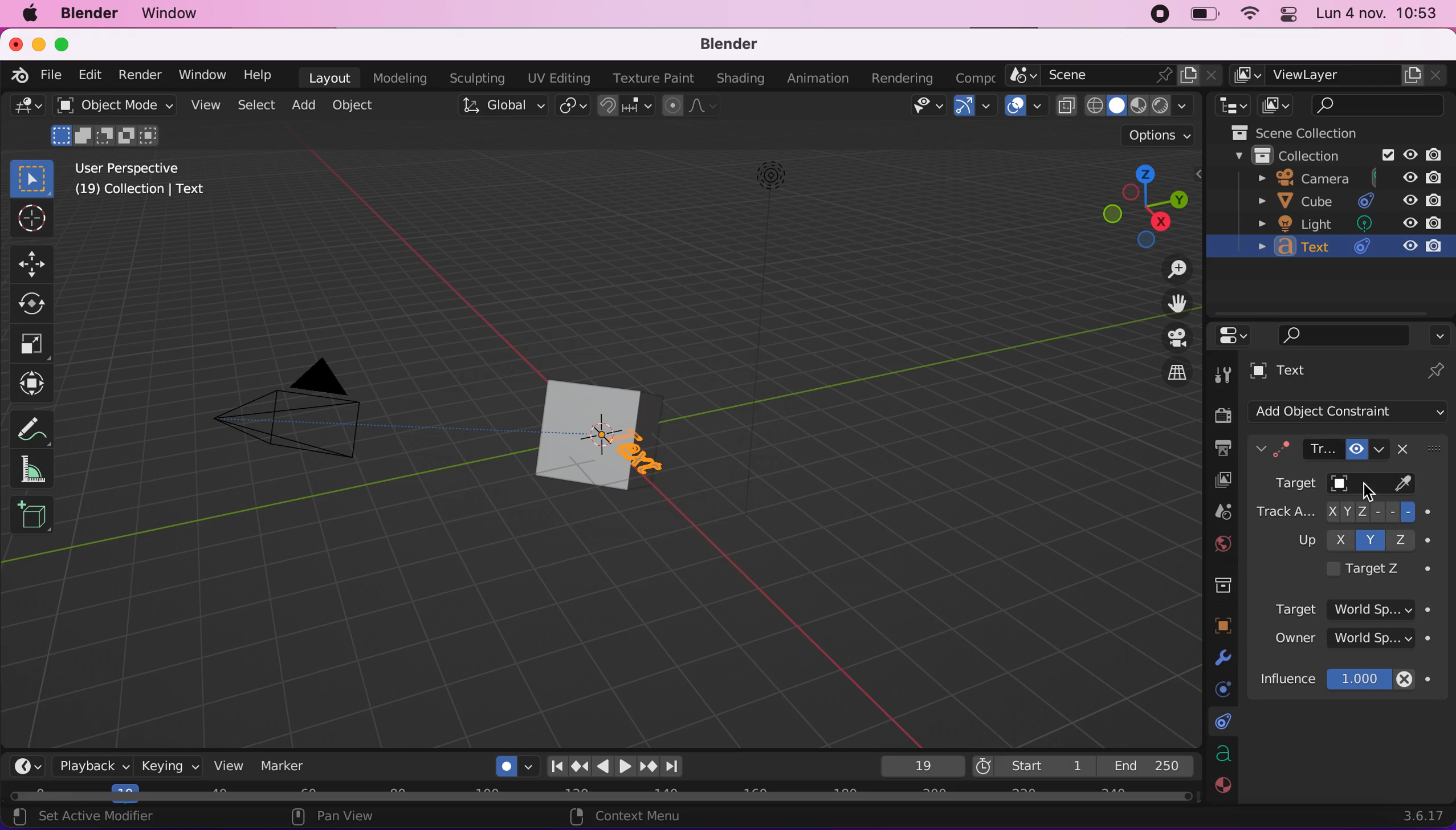  What do you see at coordinates (1345, 334) in the screenshot?
I see `search` at bounding box center [1345, 334].